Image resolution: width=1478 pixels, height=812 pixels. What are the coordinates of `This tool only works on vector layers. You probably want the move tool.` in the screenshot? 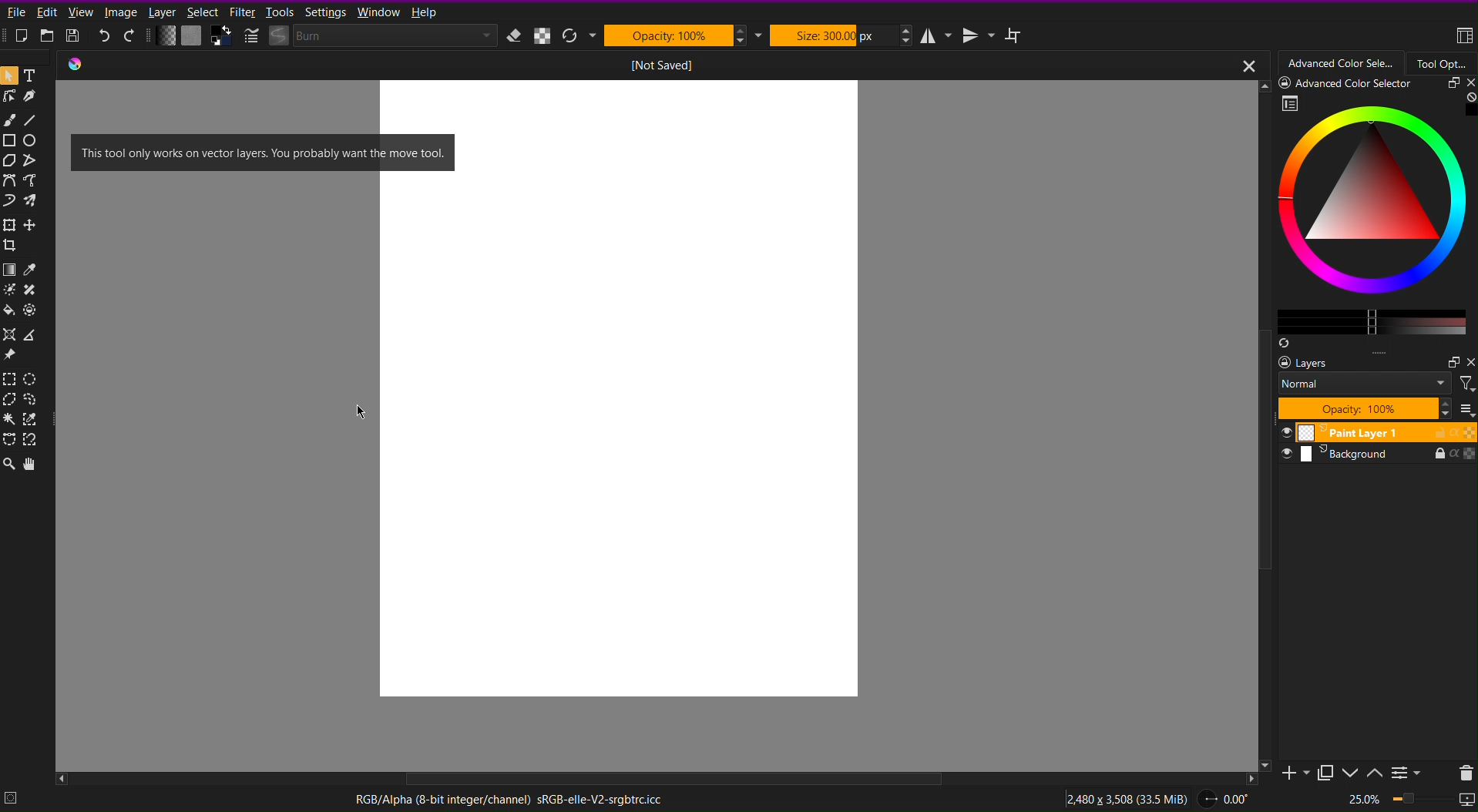 It's located at (264, 152).